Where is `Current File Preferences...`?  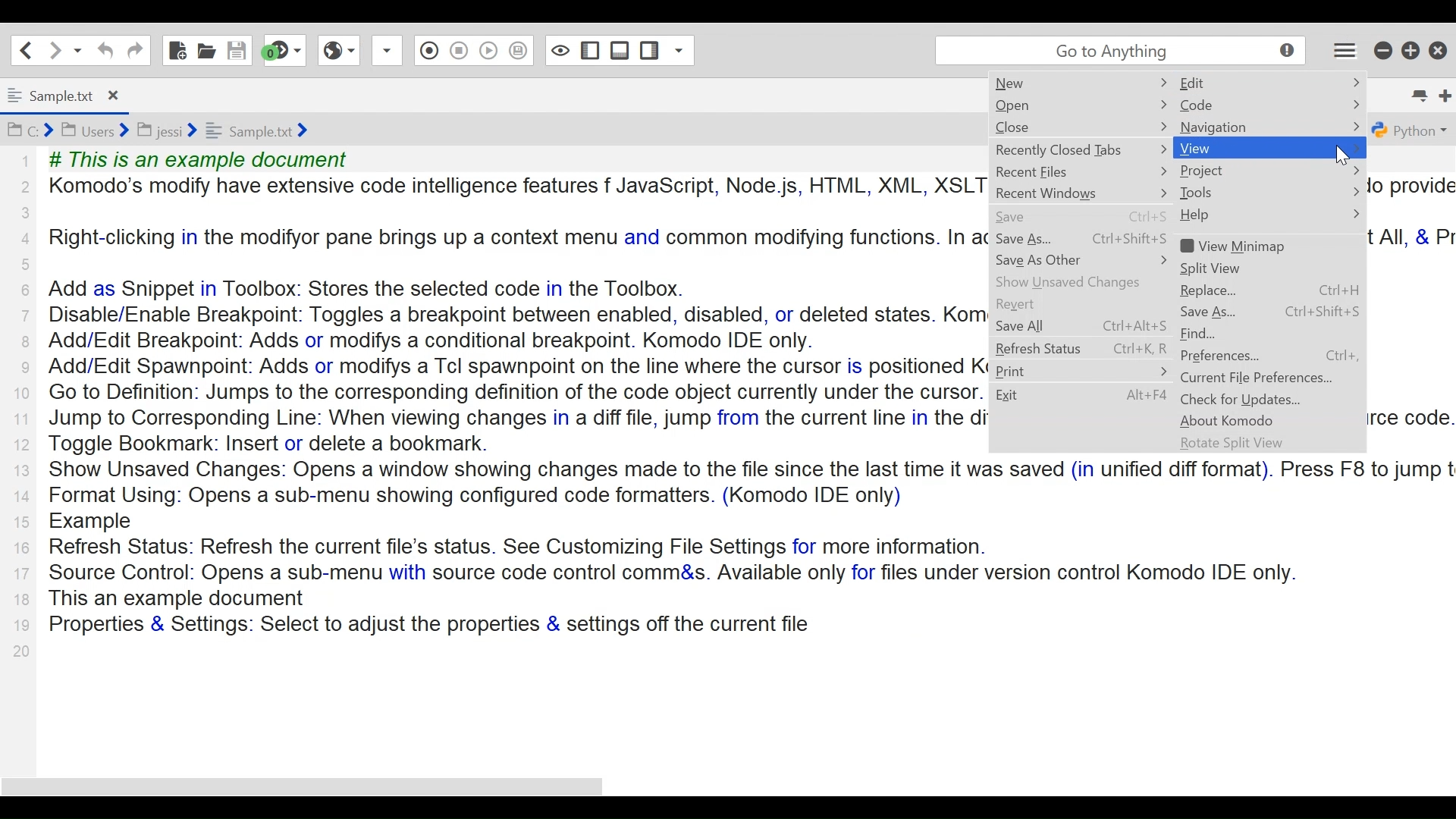 Current File Preferences... is located at coordinates (1260, 378).